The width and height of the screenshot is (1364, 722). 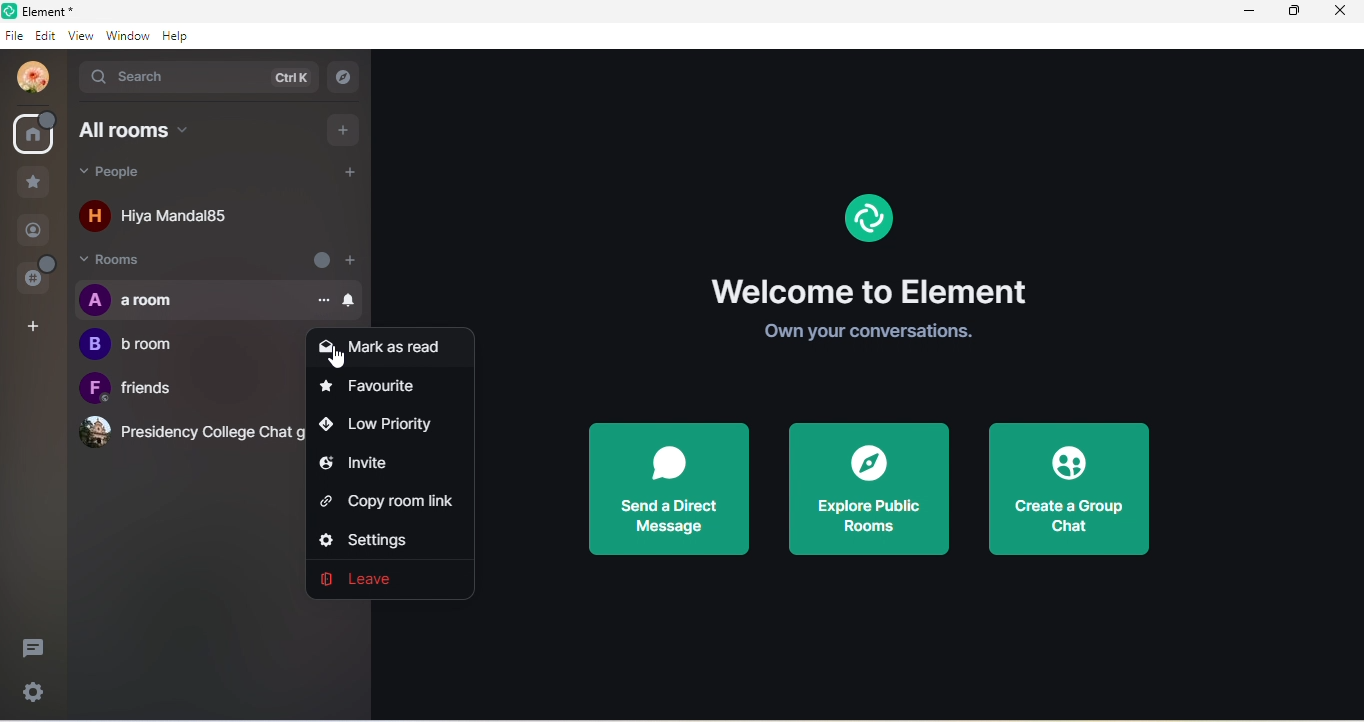 What do you see at coordinates (318, 259) in the screenshot?
I see `unread sign` at bounding box center [318, 259].